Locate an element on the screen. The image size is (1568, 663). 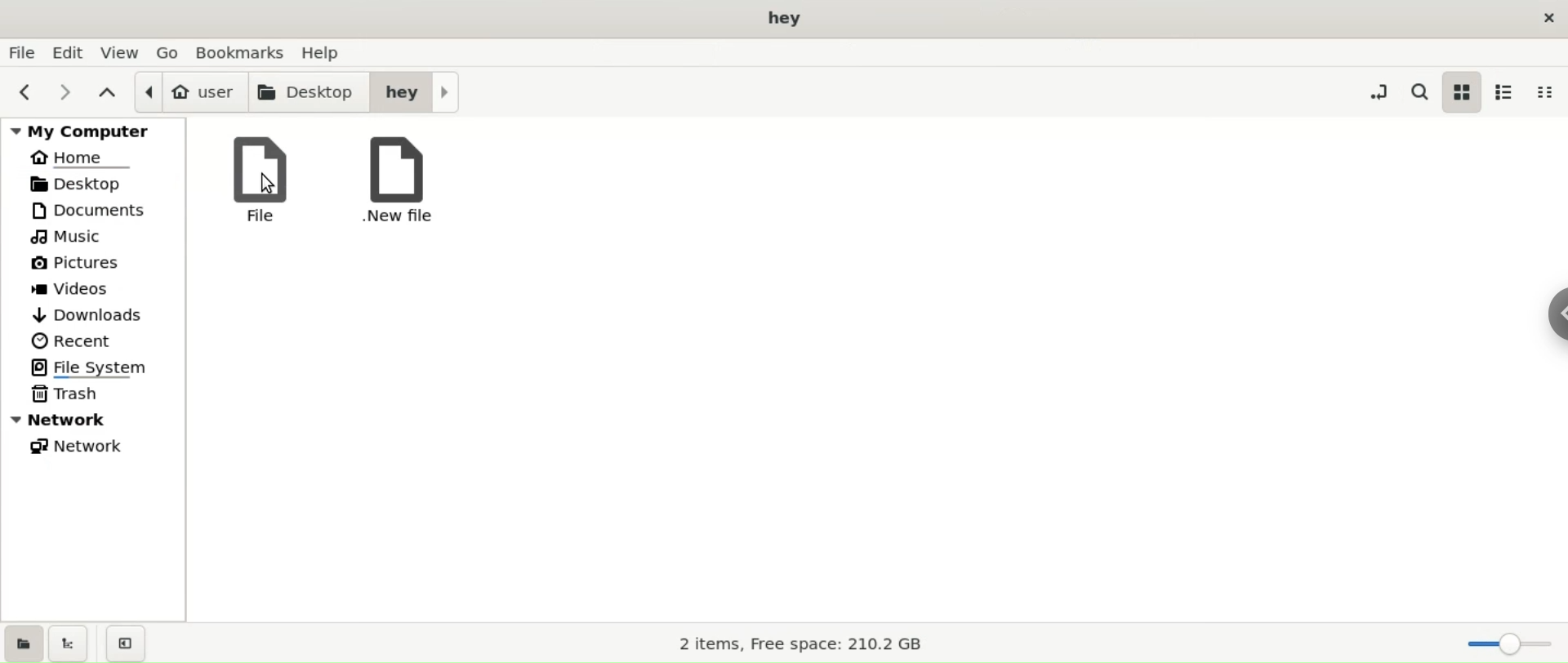
previous is located at coordinates (27, 90).